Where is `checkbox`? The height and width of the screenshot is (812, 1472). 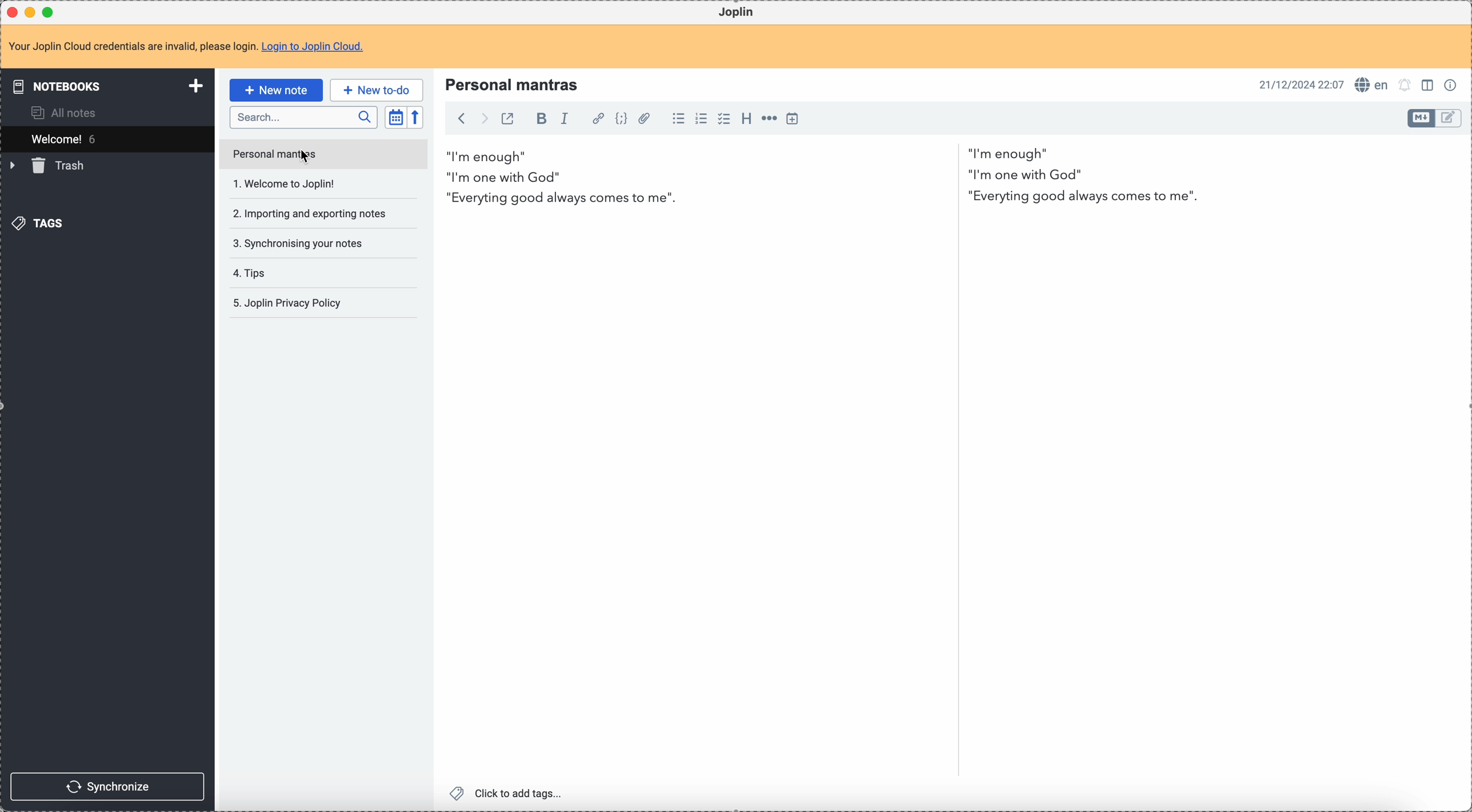
checkbox is located at coordinates (723, 119).